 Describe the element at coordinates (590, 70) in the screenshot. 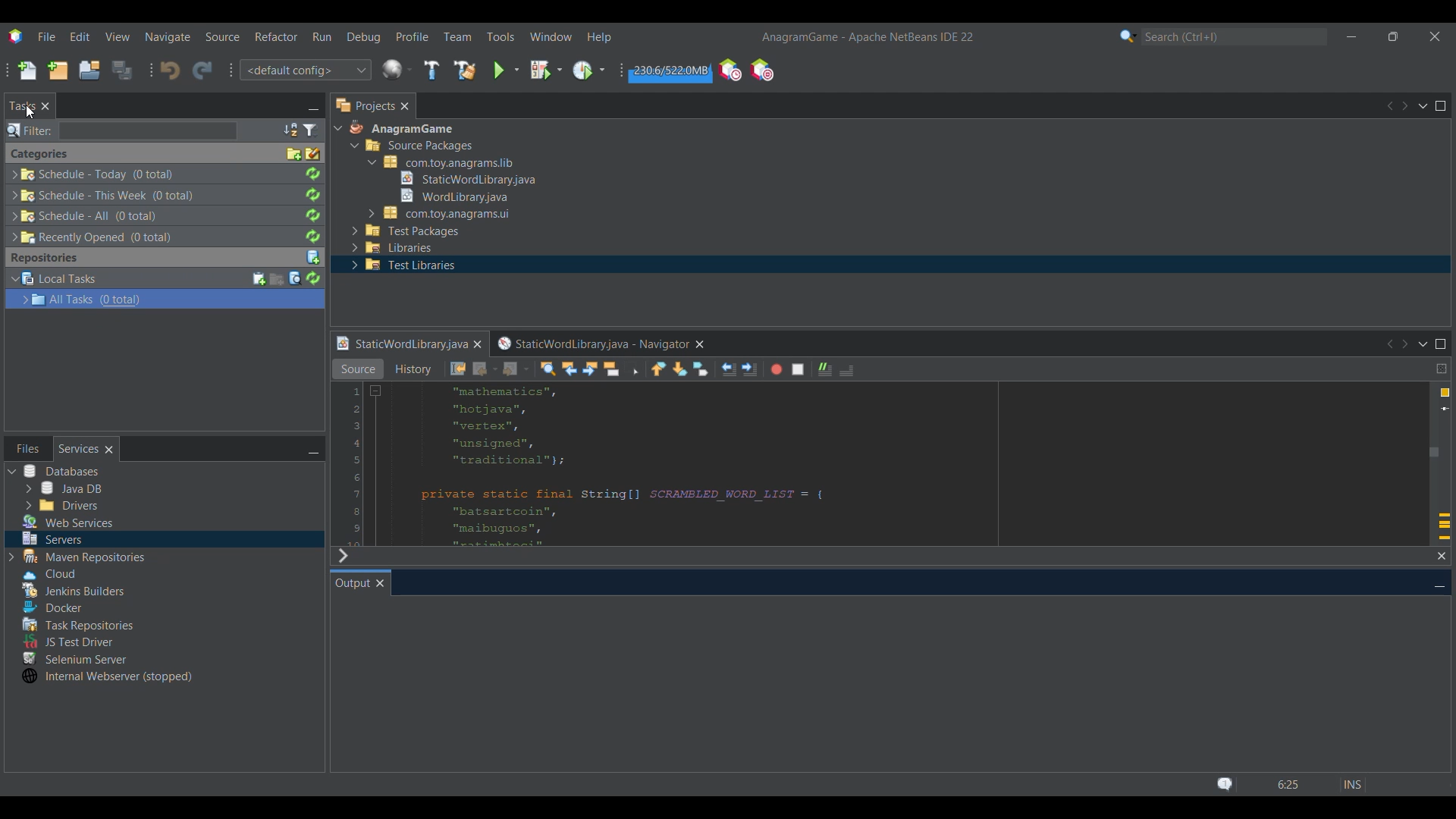

I see `Profile main prject settings` at that location.